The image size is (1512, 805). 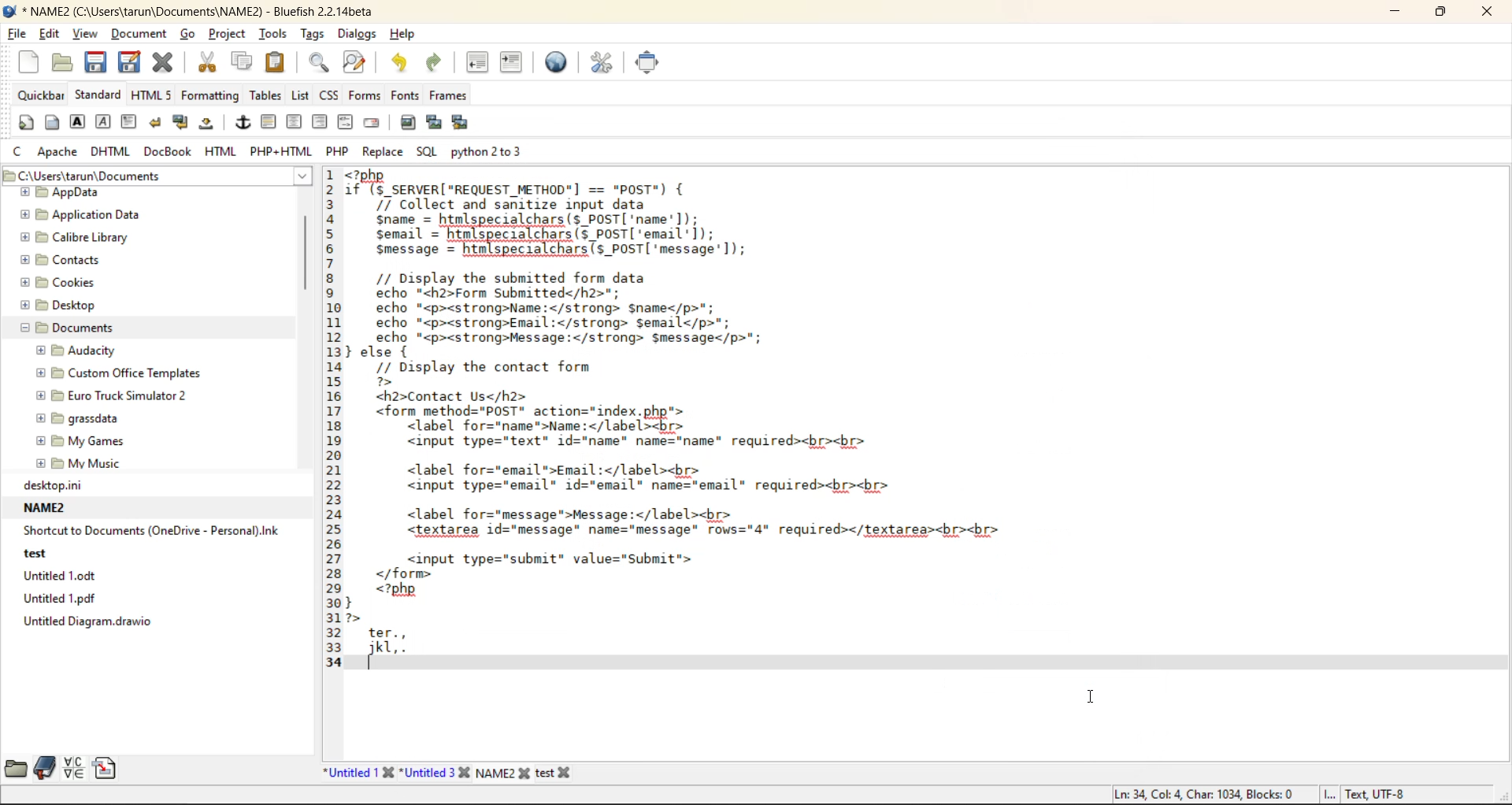 What do you see at coordinates (158, 124) in the screenshot?
I see `break` at bounding box center [158, 124].